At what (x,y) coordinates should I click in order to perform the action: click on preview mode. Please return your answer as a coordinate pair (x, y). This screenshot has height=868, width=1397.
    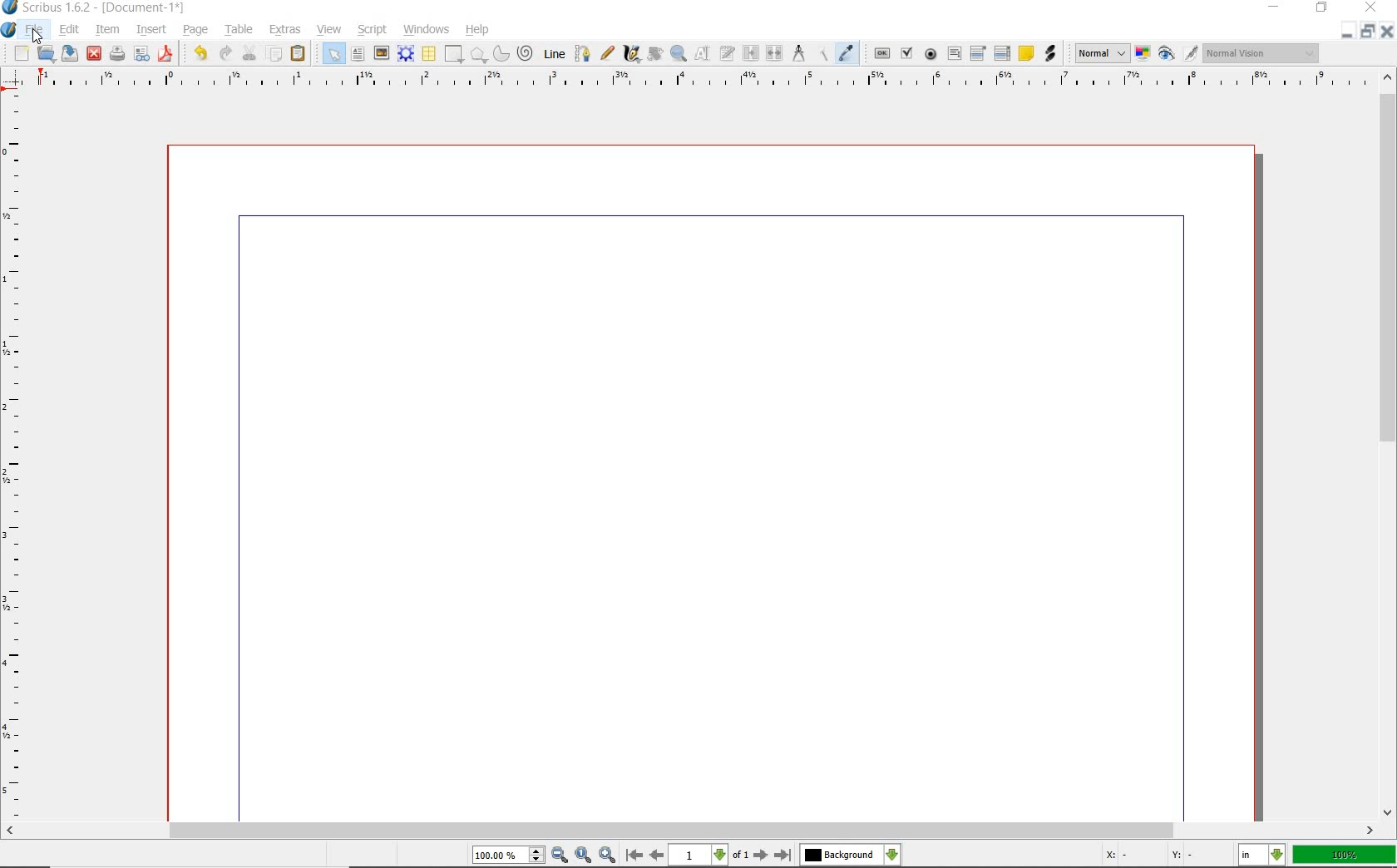
    Looking at the image, I should click on (1177, 53).